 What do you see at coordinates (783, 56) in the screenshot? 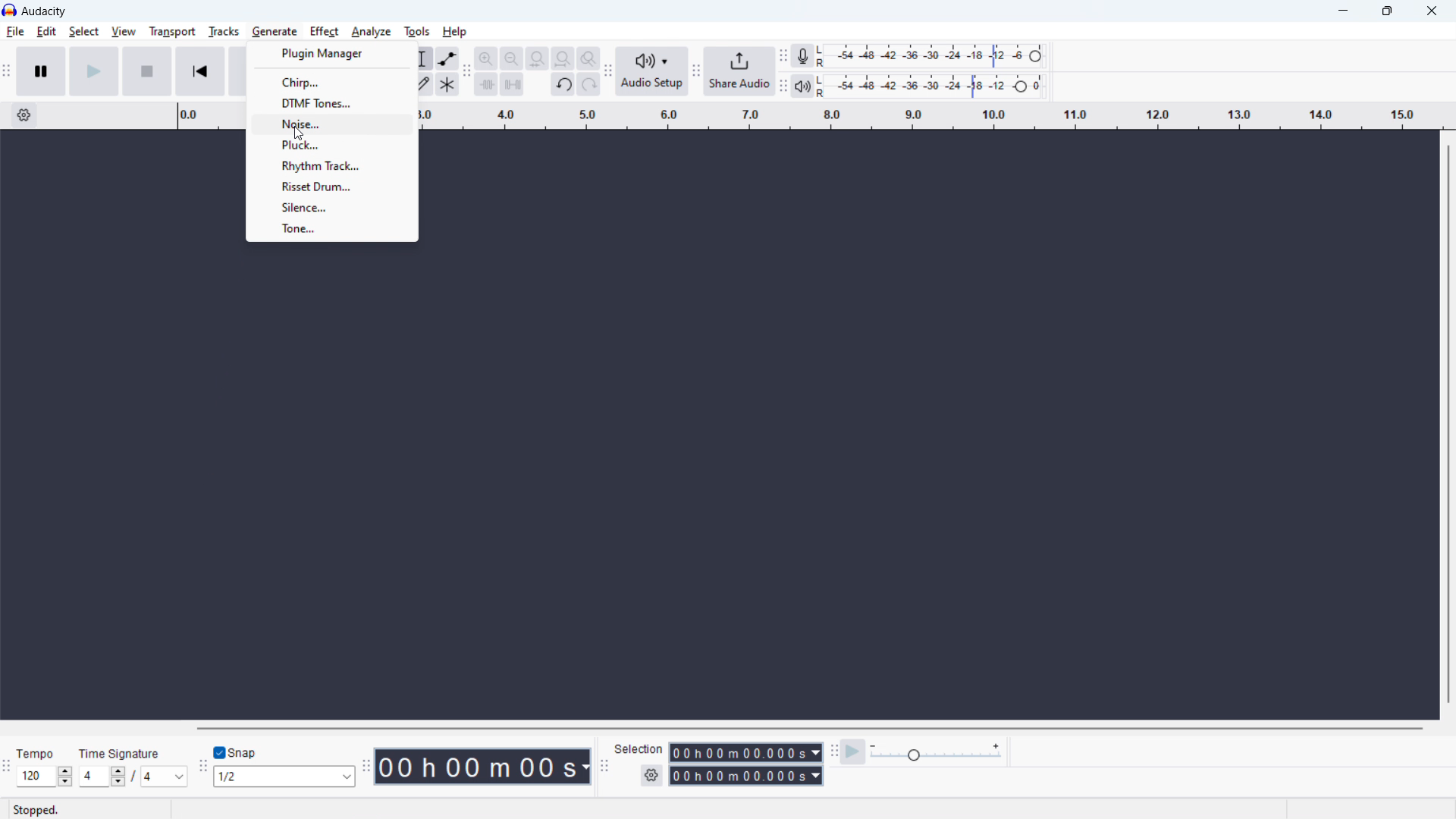
I see `recording meter toolbar` at bounding box center [783, 56].